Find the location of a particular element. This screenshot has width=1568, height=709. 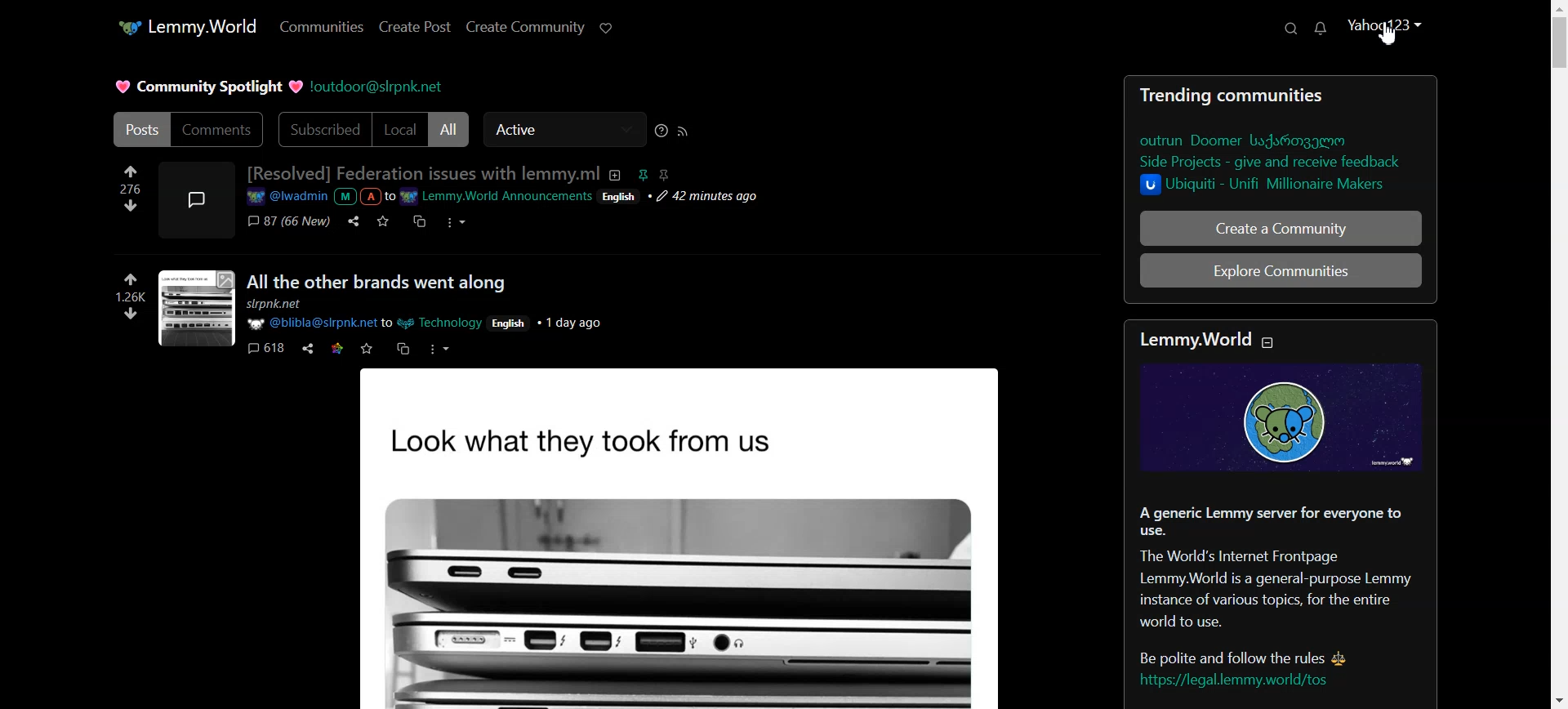

1.26k is located at coordinates (122, 297).